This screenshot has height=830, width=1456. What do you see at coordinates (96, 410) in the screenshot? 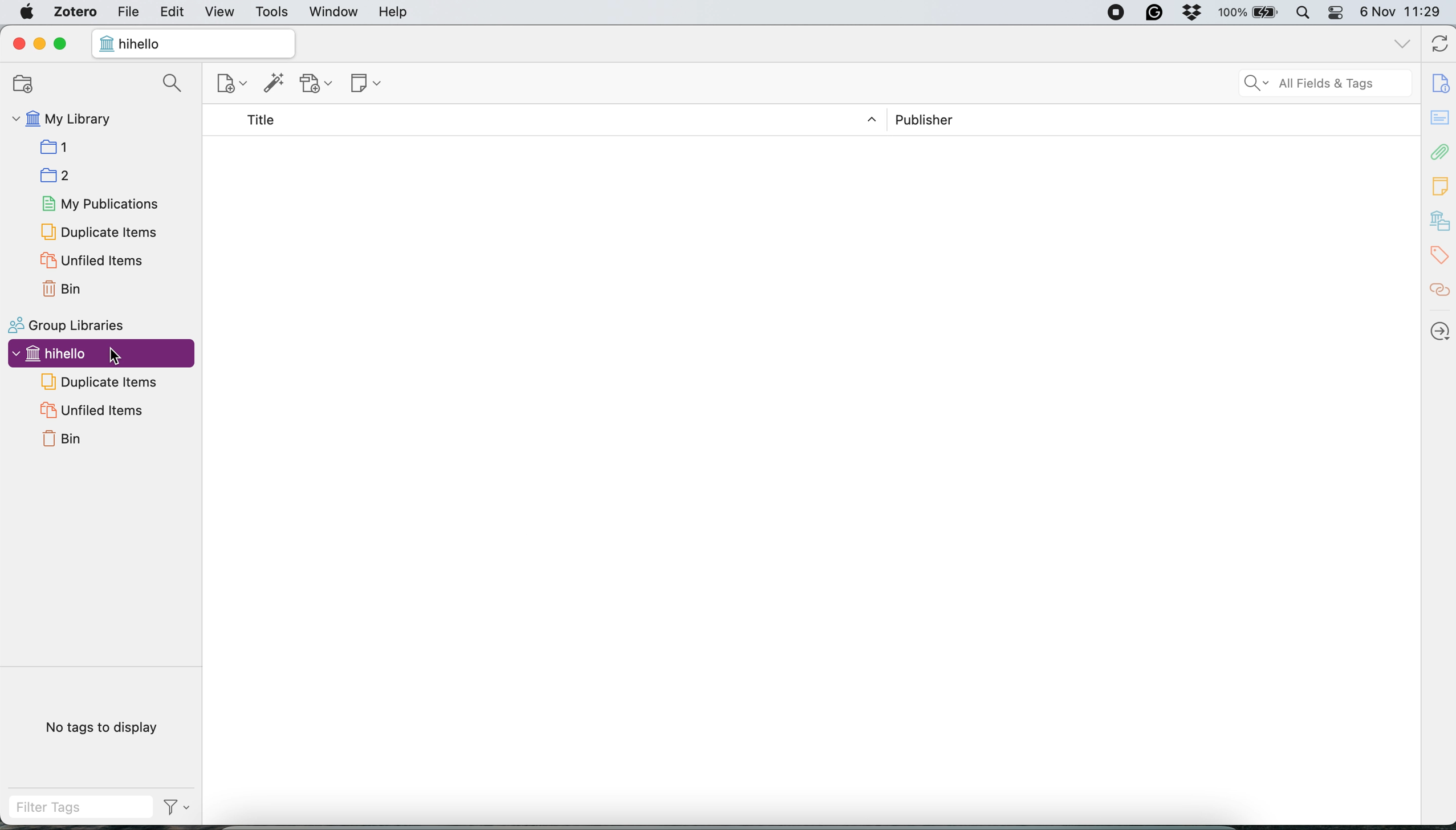
I see `unfiled items` at bounding box center [96, 410].